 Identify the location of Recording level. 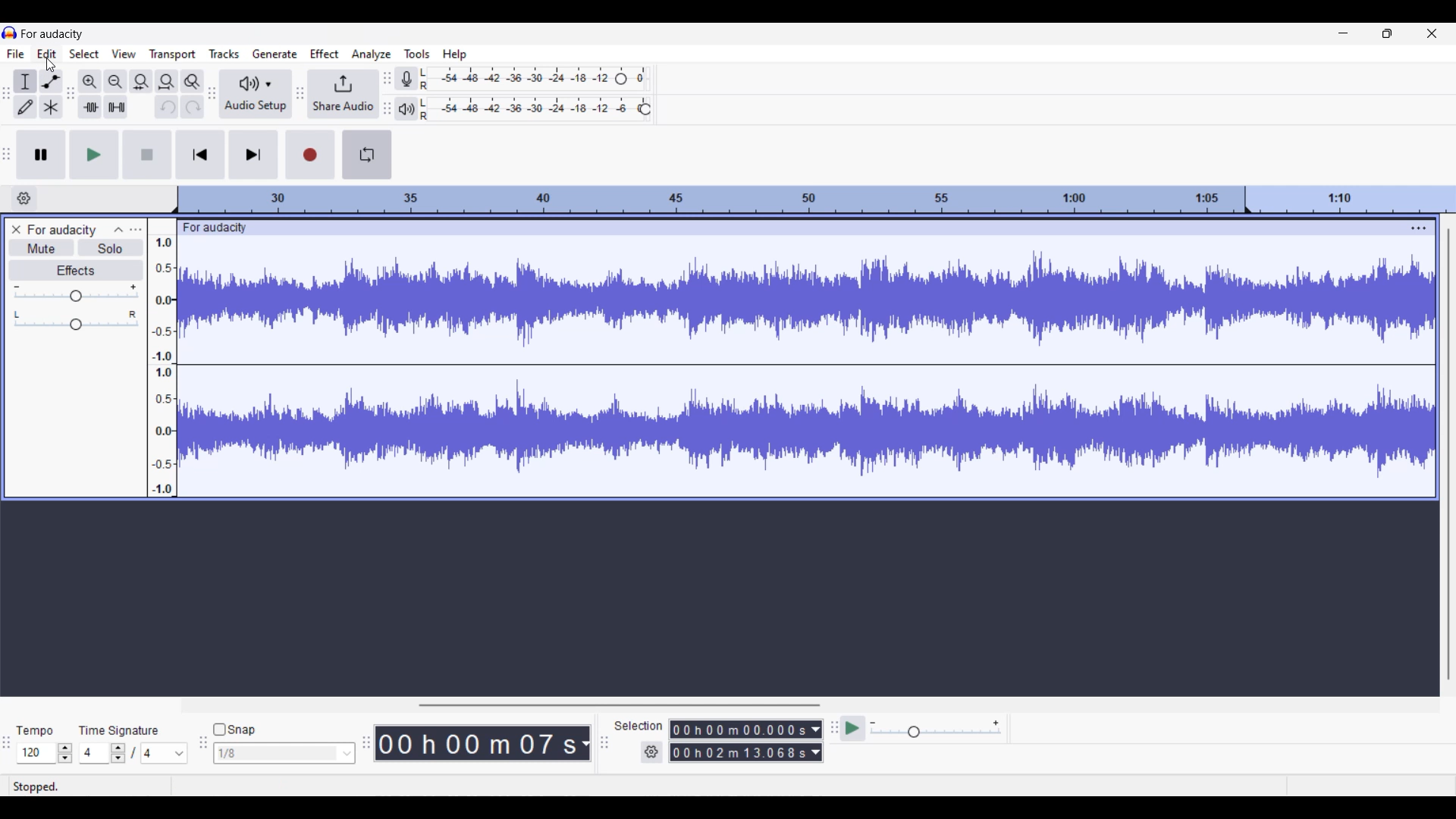
(517, 76).